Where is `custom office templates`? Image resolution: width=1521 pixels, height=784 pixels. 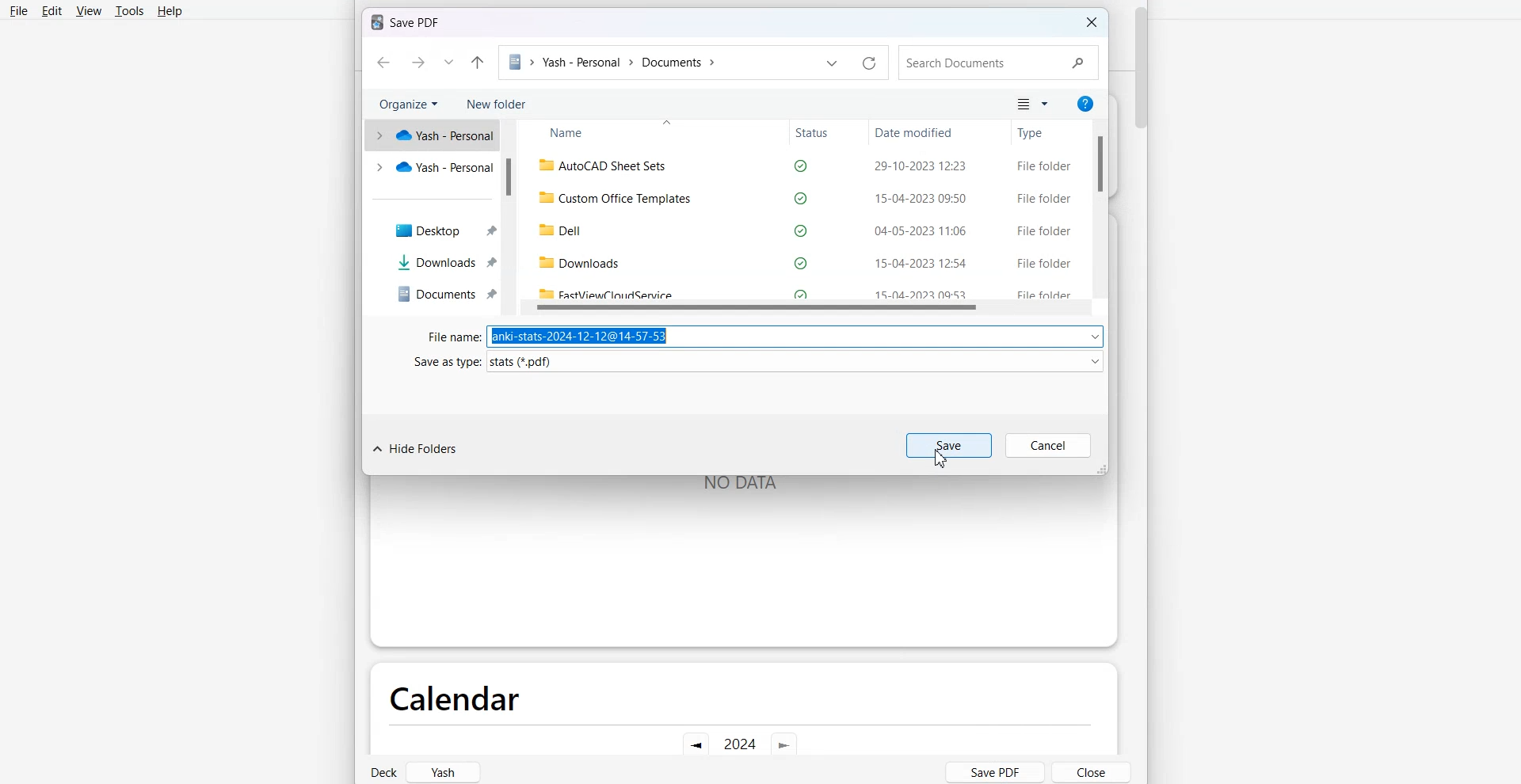
custom office templates is located at coordinates (802, 196).